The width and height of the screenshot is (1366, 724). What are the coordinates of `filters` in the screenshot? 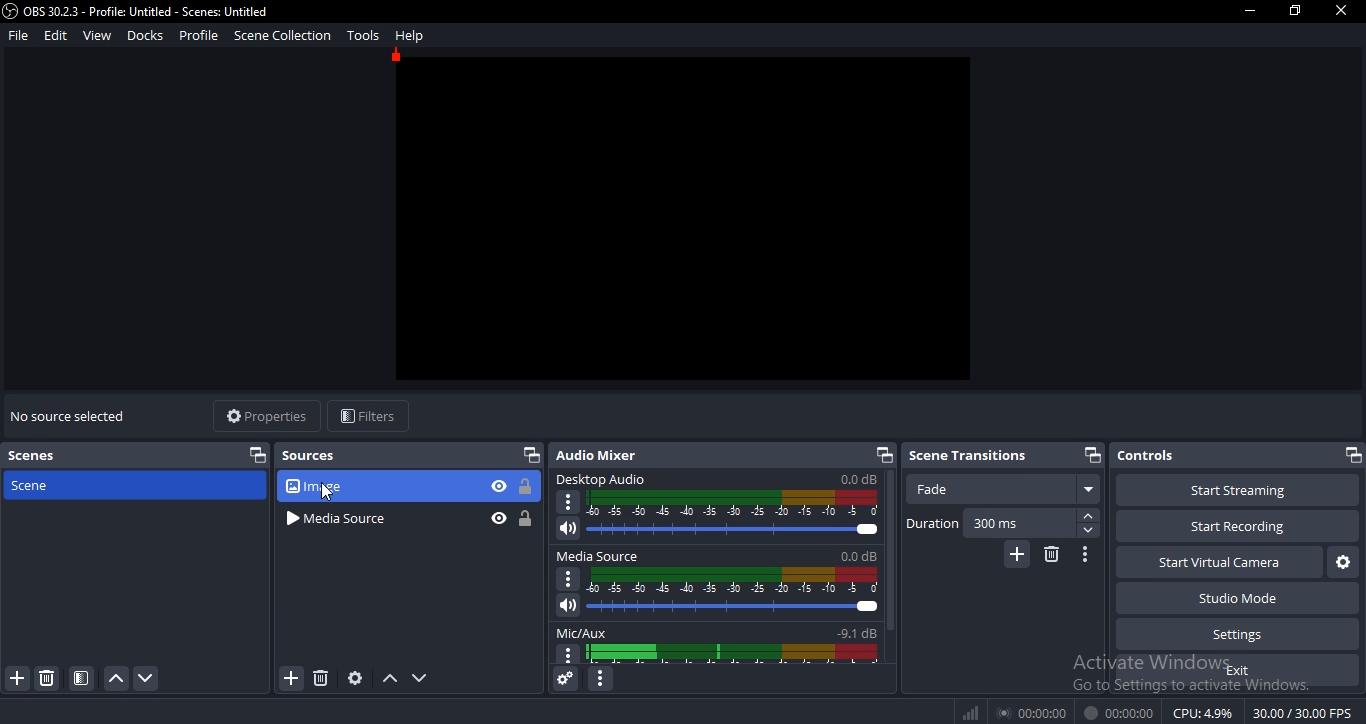 It's located at (371, 414).